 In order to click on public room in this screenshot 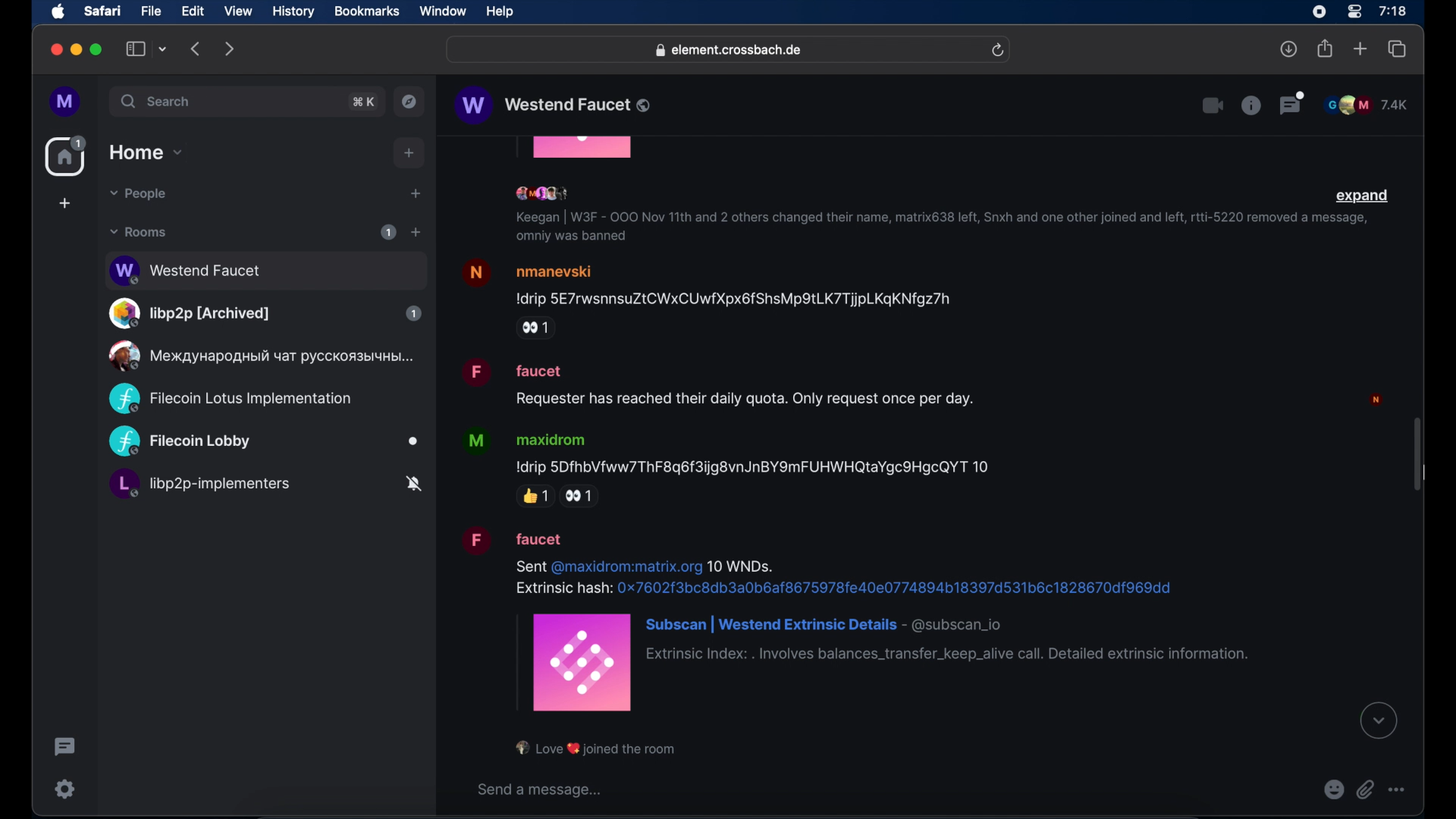, I will do `click(264, 442)`.